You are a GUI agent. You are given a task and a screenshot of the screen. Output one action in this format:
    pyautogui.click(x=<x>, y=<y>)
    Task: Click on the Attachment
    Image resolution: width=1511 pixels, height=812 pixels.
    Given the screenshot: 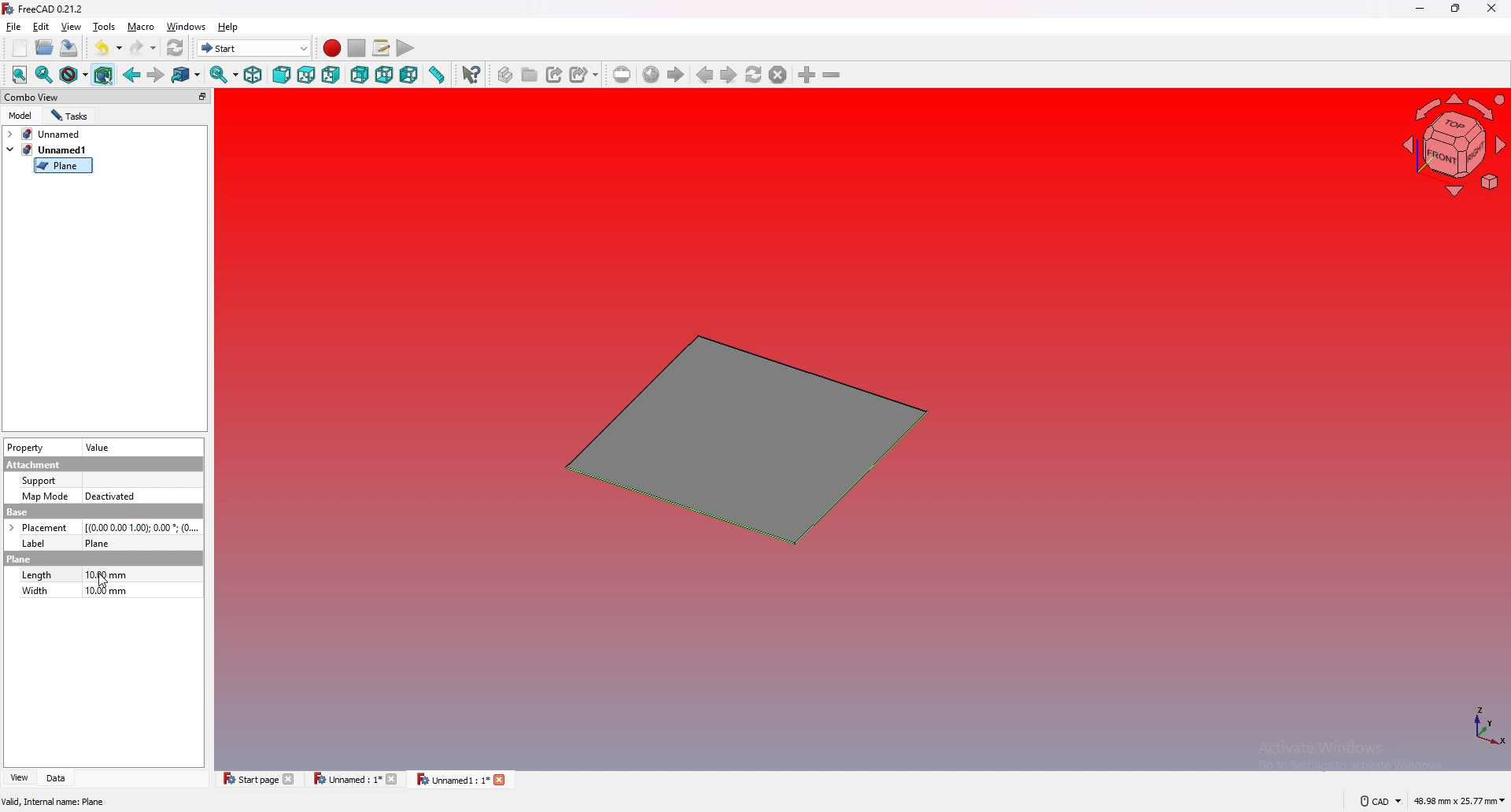 What is the action you would take?
    pyautogui.click(x=36, y=464)
    